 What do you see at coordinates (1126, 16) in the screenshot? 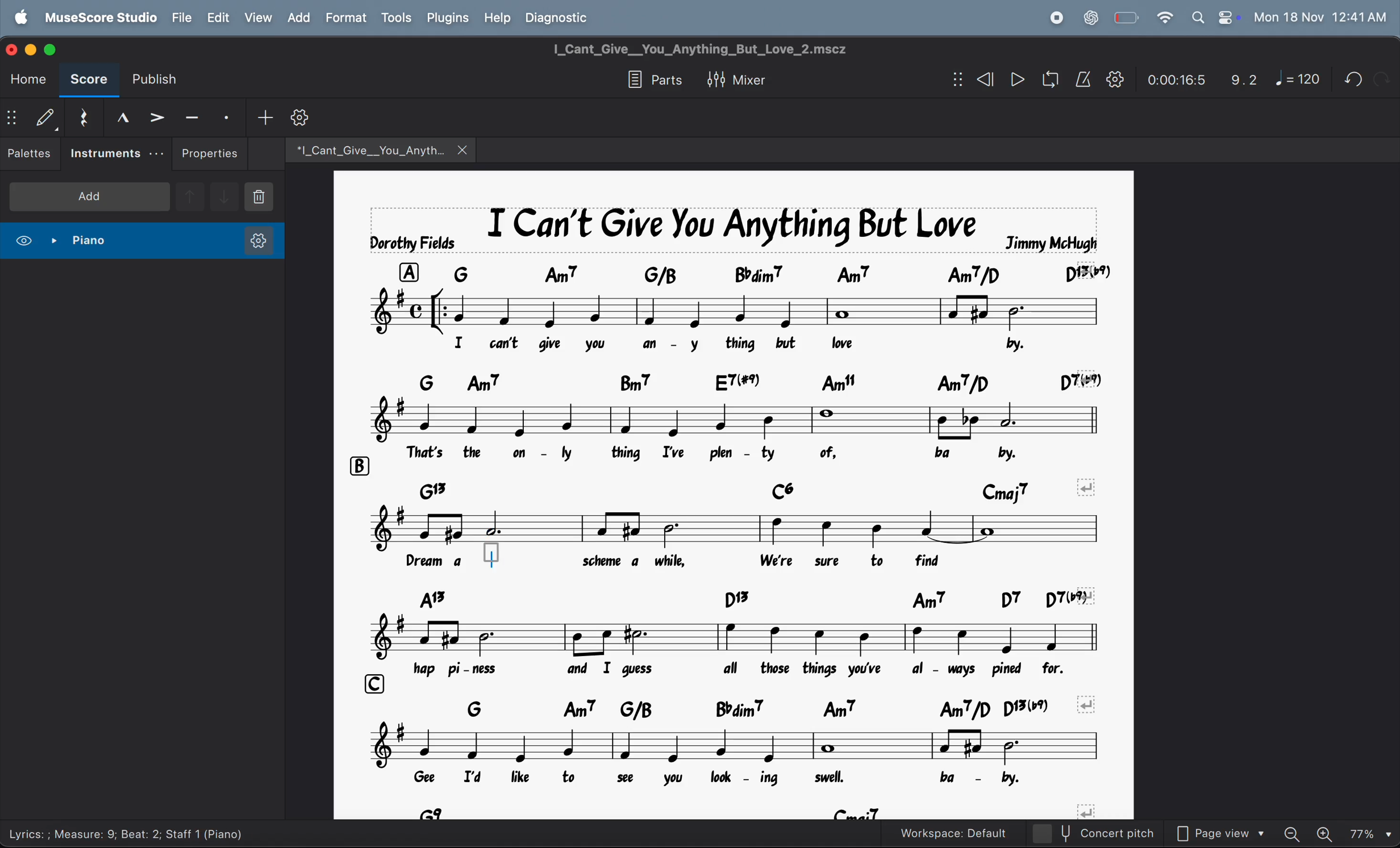
I see `battery` at bounding box center [1126, 16].